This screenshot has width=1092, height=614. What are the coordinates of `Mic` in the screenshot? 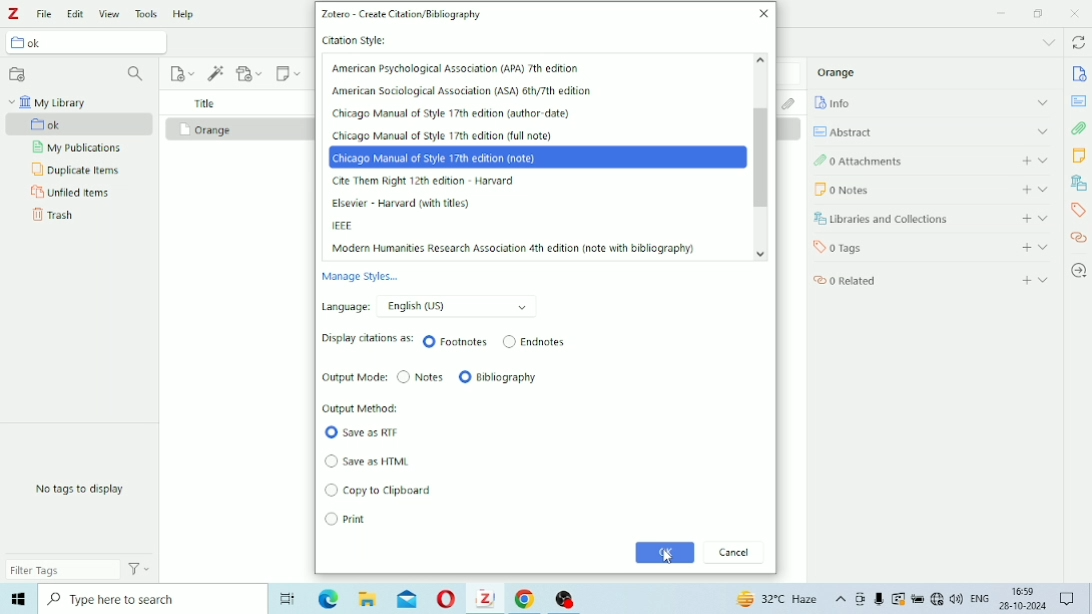 It's located at (879, 599).